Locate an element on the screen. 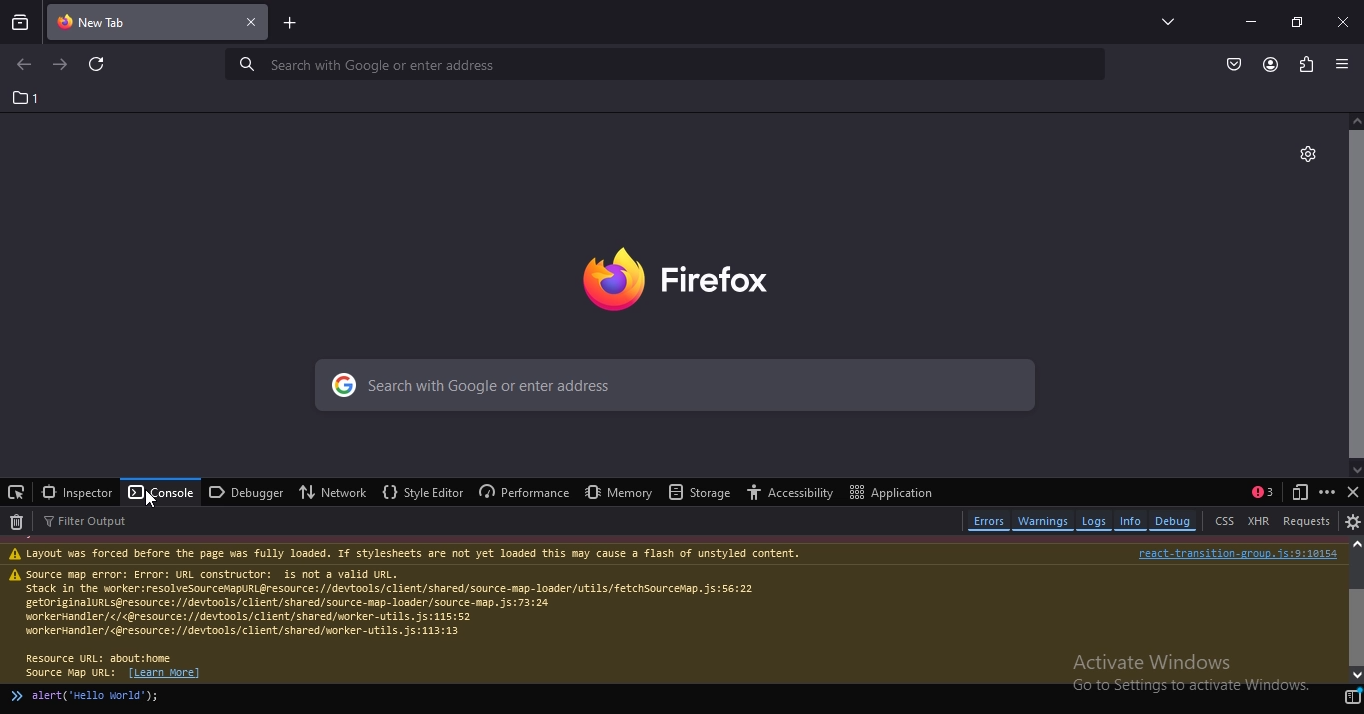 The height and width of the screenshot is (714, 1364). clear web console output is located at coordinates (17, 523).